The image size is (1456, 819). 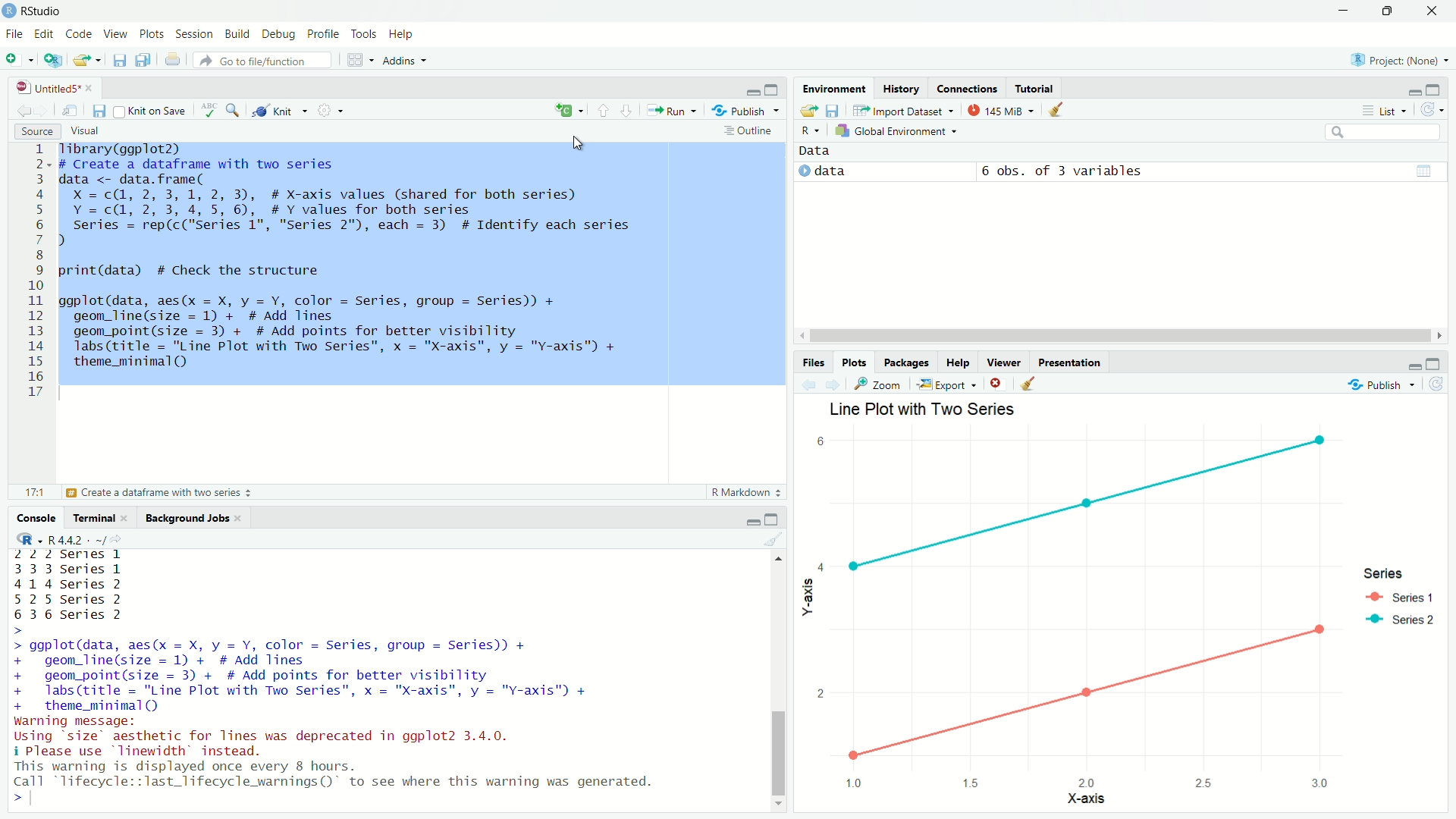 I want to click on minimize, so click(x=1412, y=366).